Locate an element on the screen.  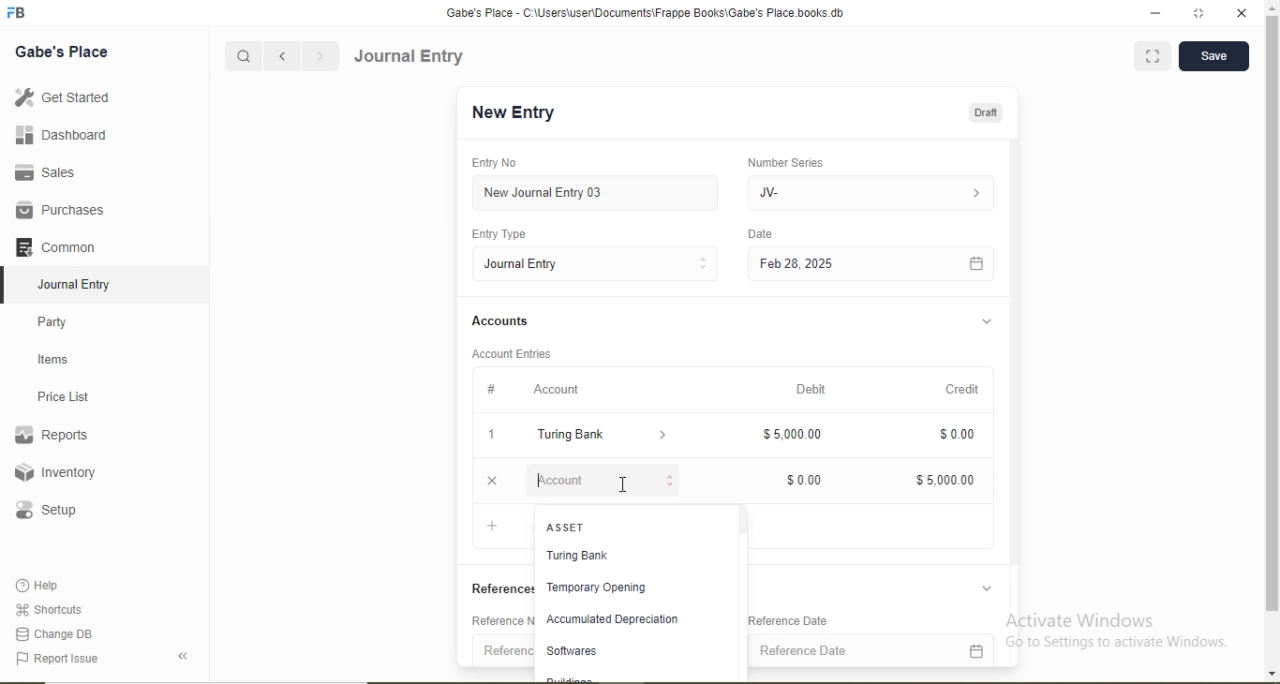
Dashboard is located at coordinates (62, 134).